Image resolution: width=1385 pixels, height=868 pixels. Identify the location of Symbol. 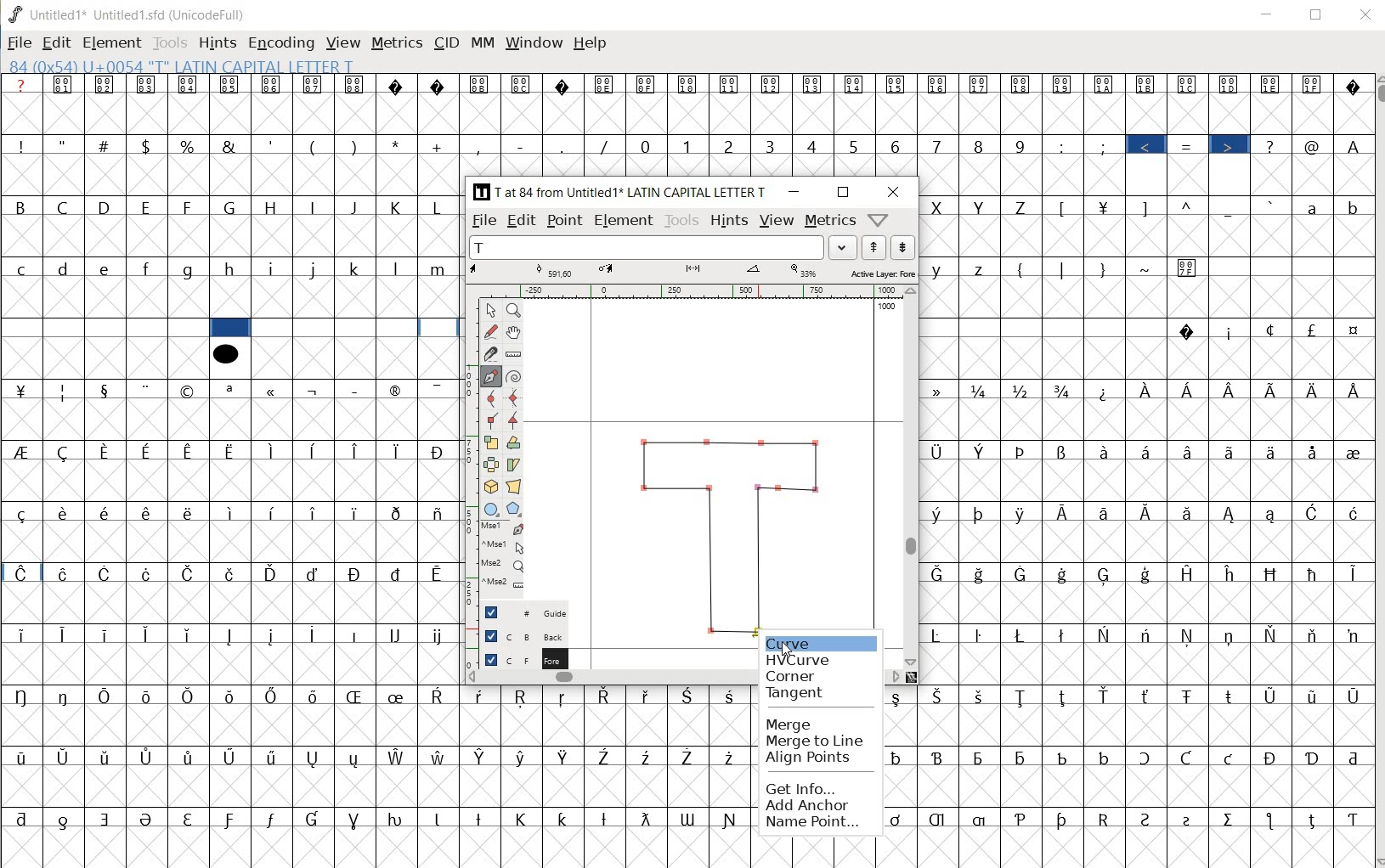
(1190, 635).